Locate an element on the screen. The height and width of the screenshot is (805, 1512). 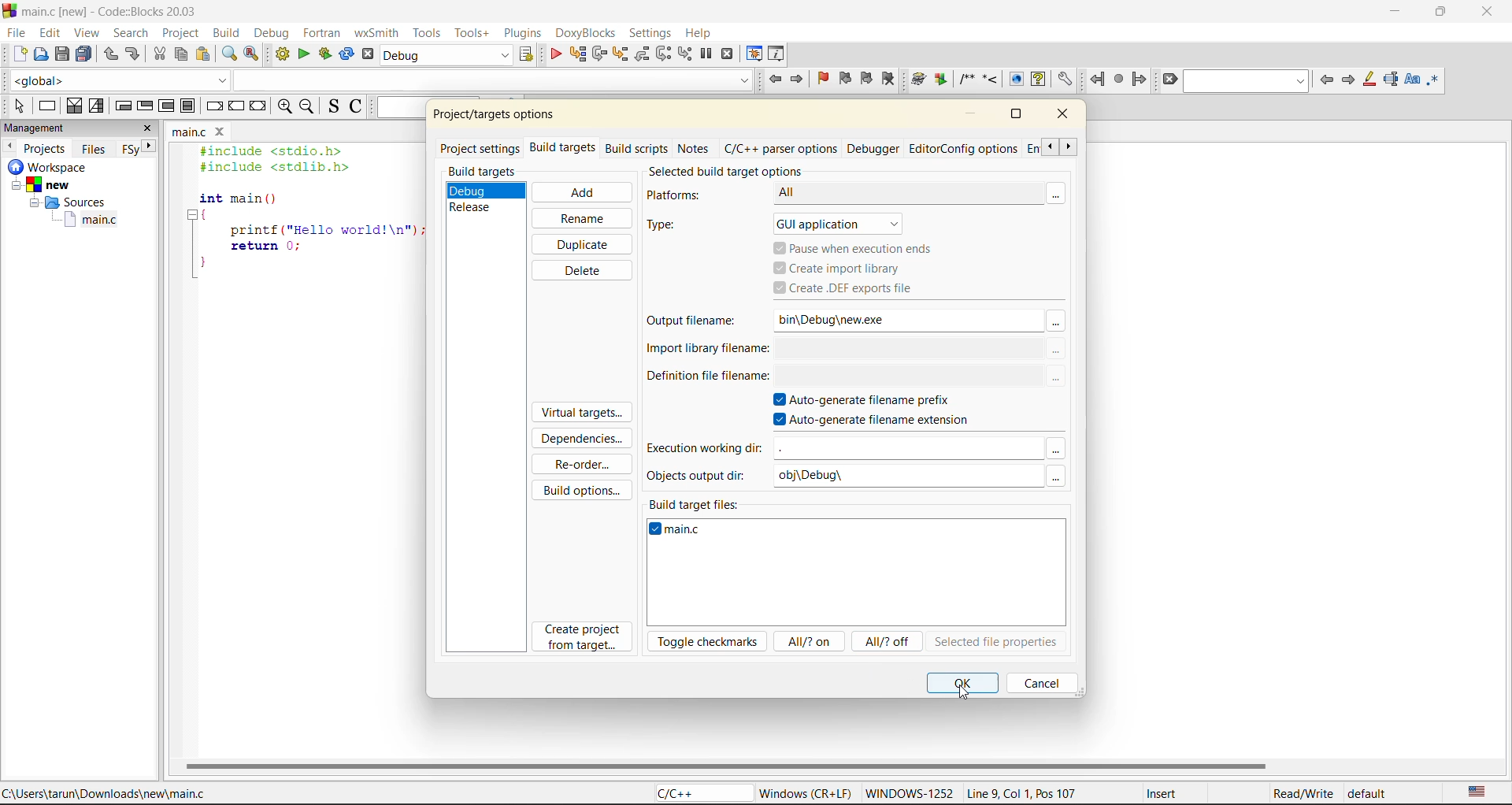
horizontal scroll bar is located at coordinates (725, 766).